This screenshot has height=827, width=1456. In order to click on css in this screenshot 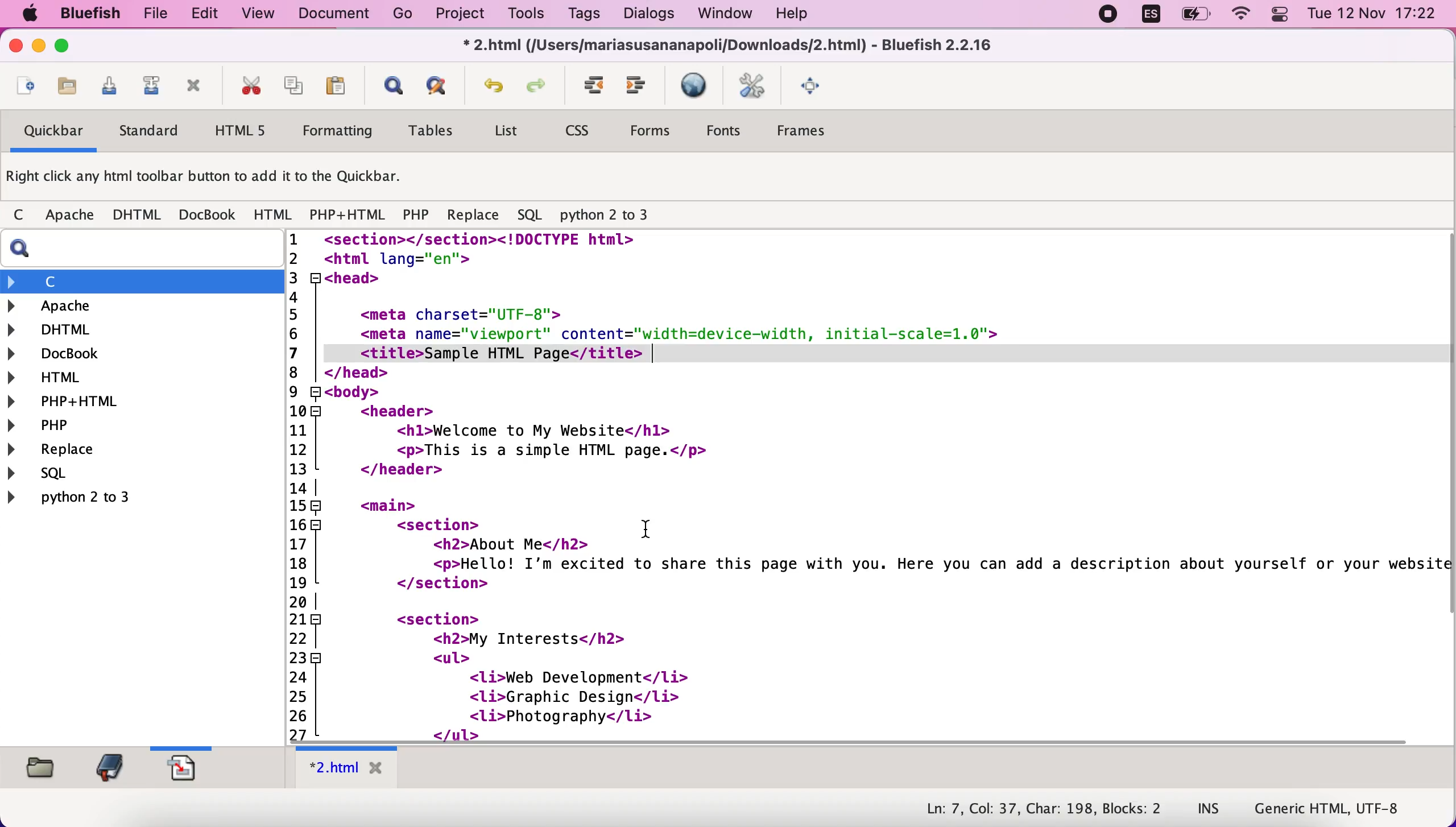, I will do `click(585, 129)`.